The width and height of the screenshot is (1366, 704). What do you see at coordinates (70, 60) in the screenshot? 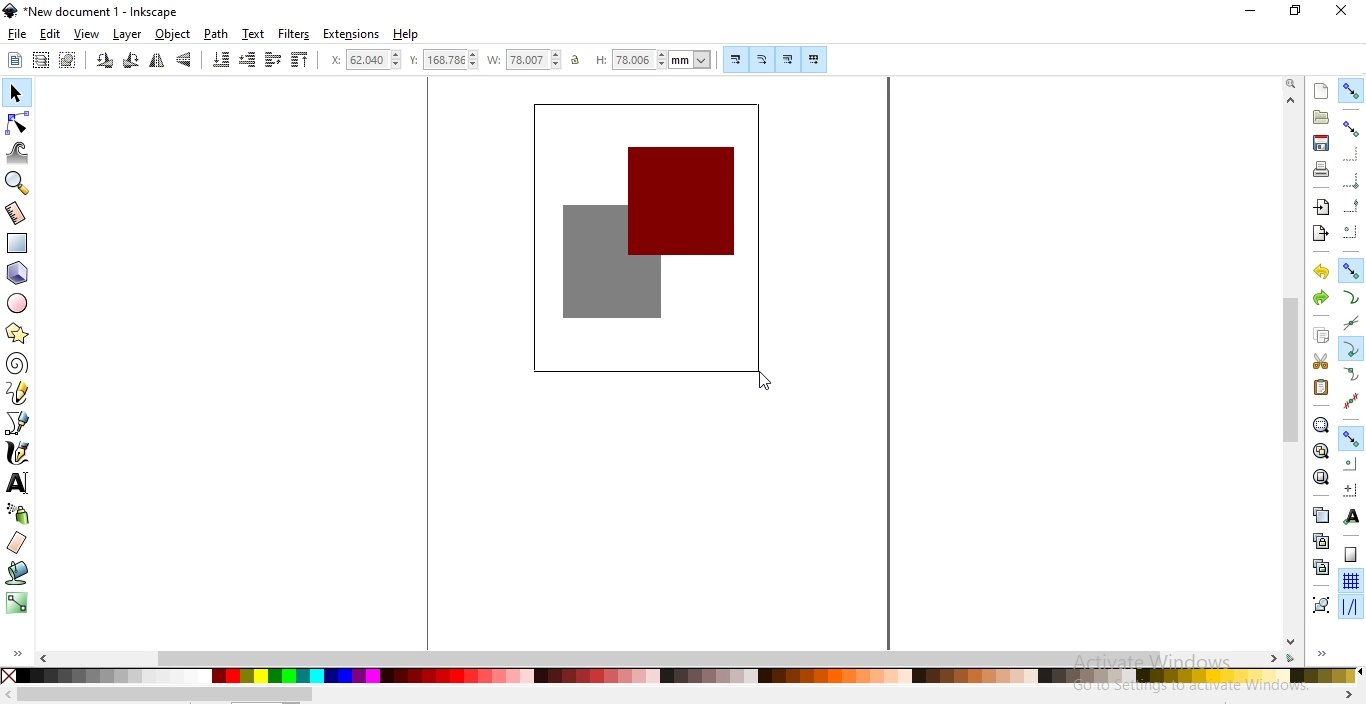
I see `deselect selected objects or nodes` at bounding box center [70, 60].